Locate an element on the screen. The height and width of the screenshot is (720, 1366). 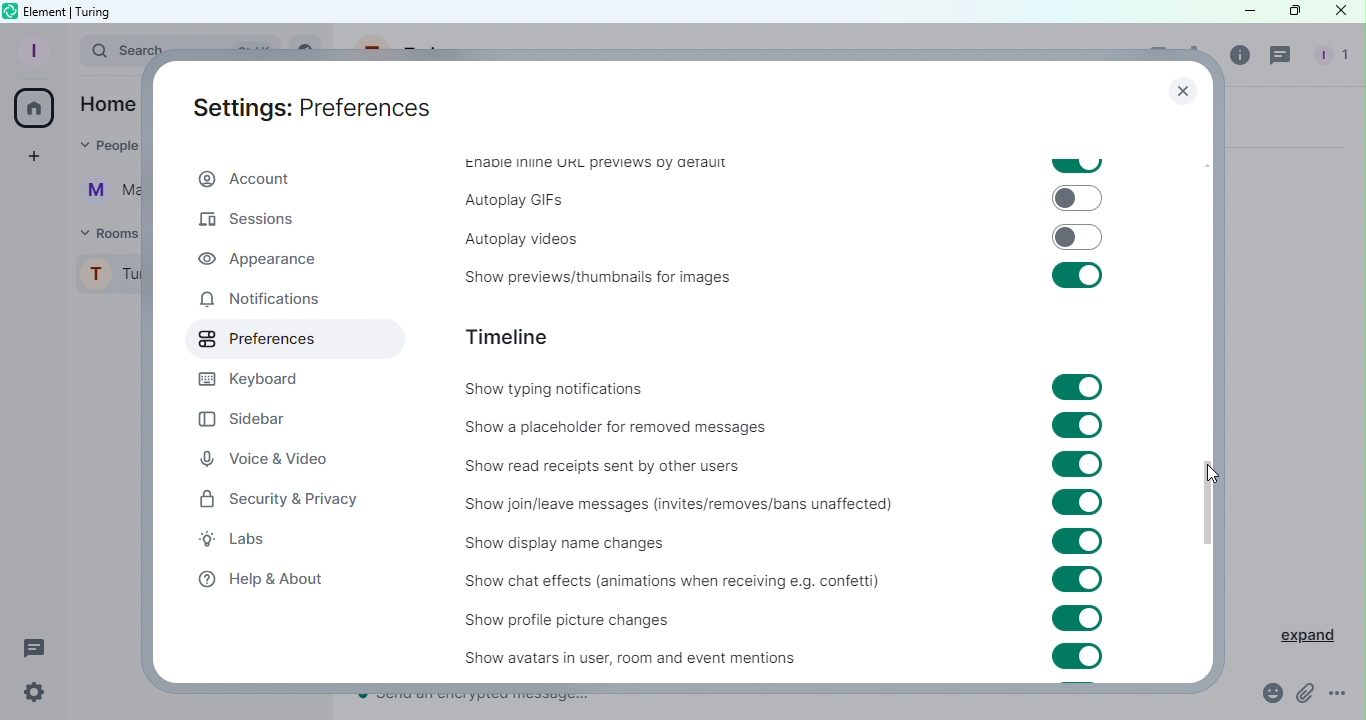
Toggle is located at coordinates (1076, 388).